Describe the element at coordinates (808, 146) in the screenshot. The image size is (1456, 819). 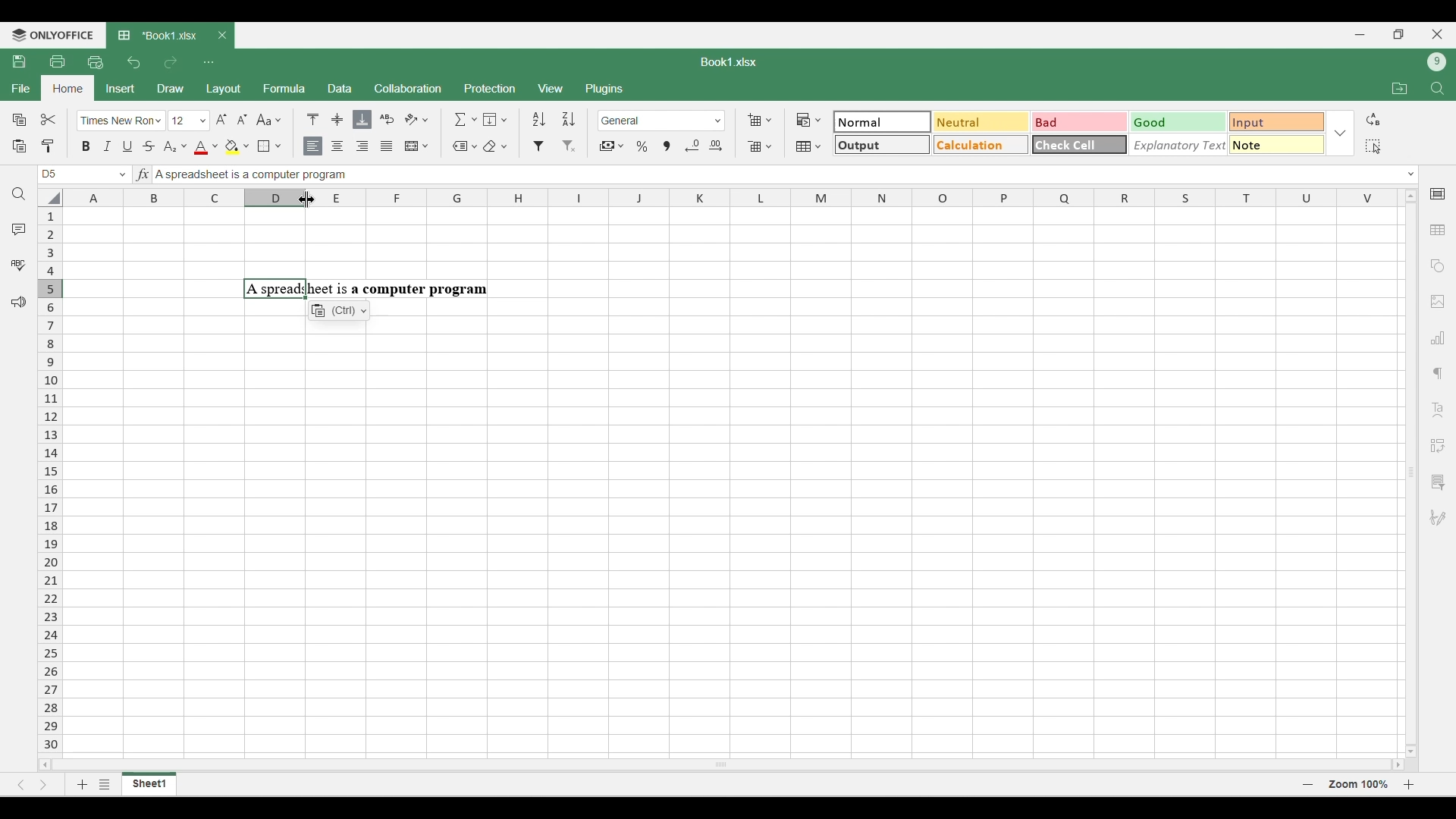
I see `Format as table options` at that location.